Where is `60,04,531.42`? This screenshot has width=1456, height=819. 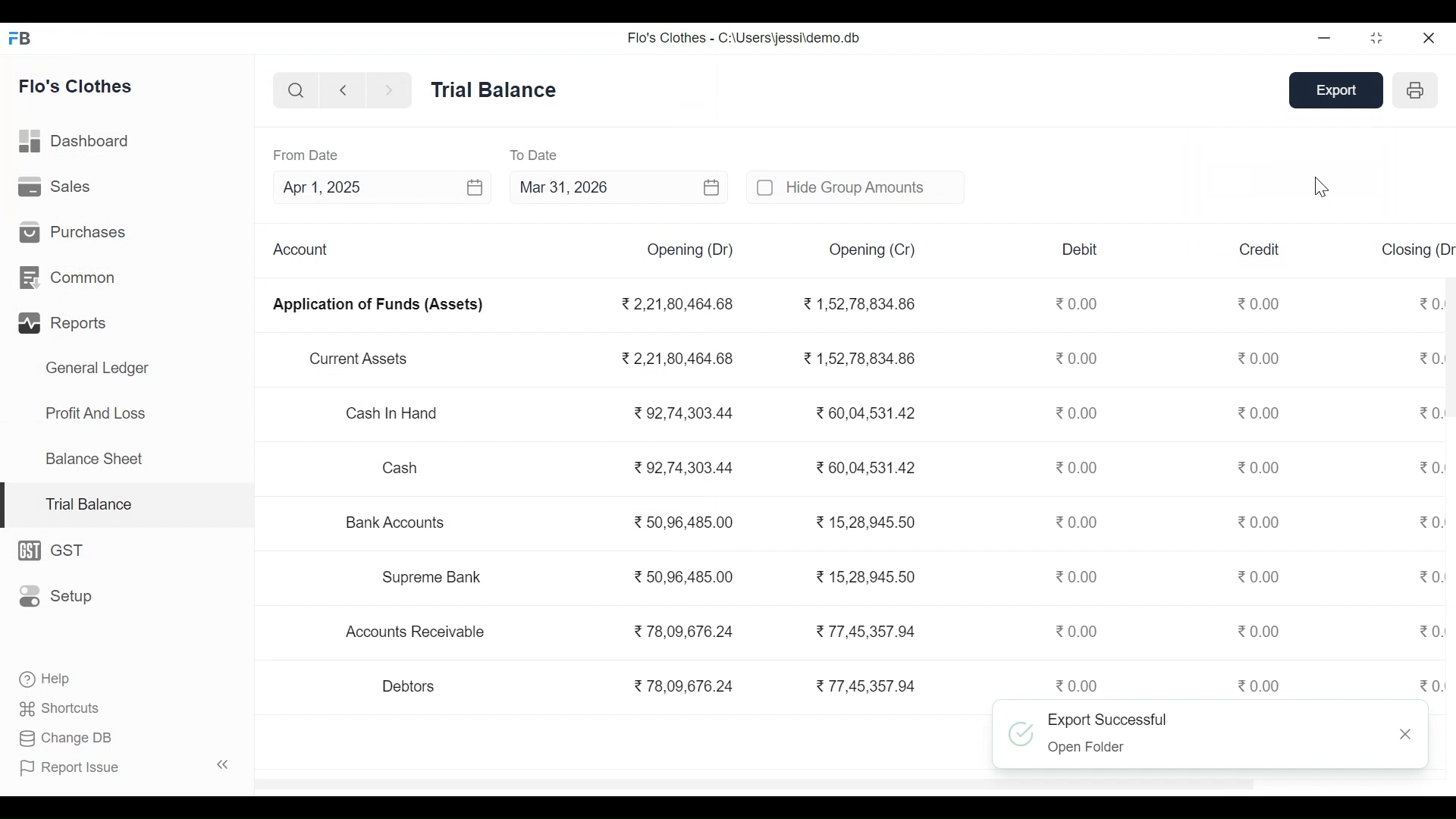 60,04,531.42 is located at coordinates (863, 466).